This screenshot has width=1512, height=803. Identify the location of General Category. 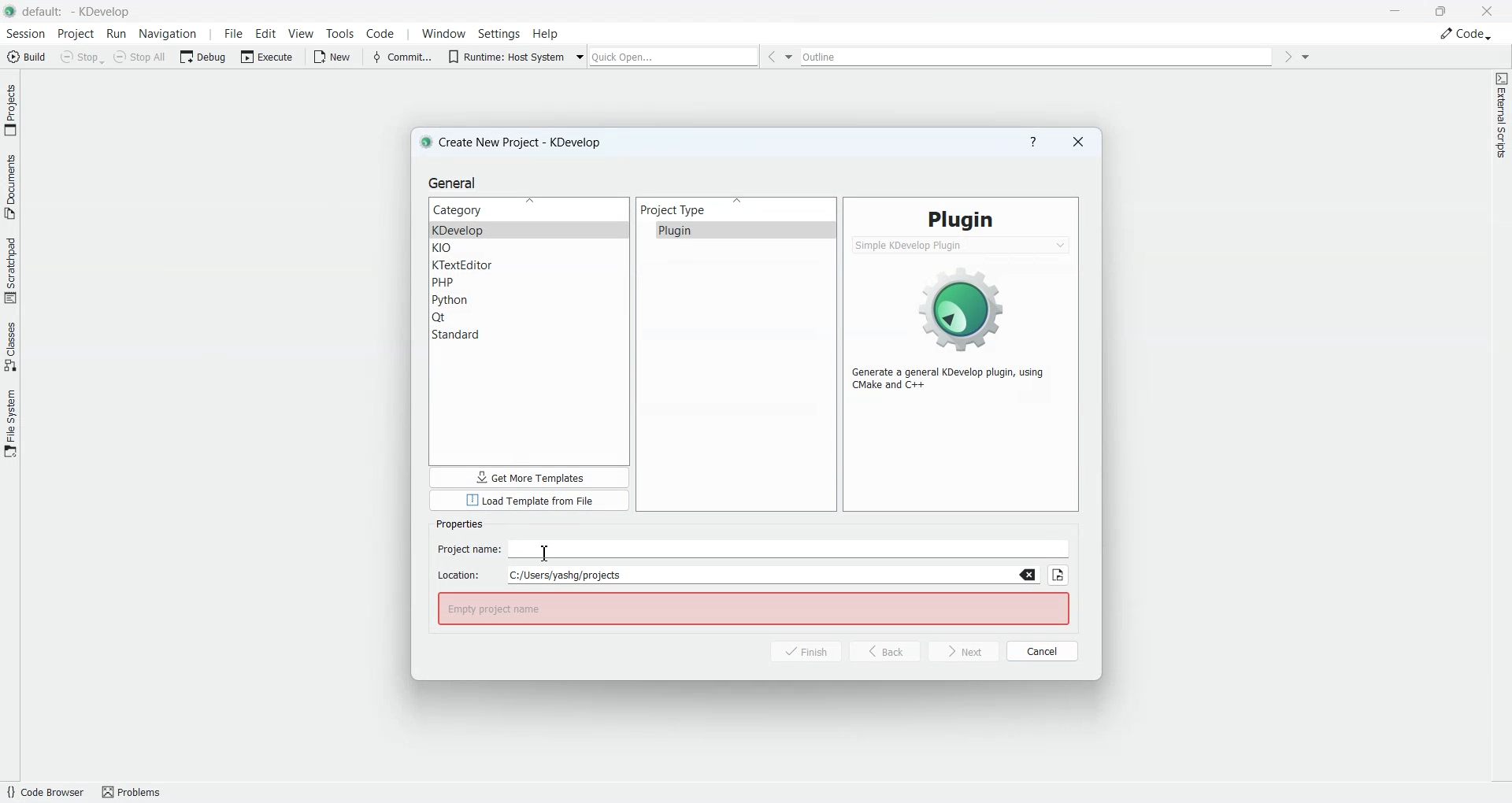
(529, 209).